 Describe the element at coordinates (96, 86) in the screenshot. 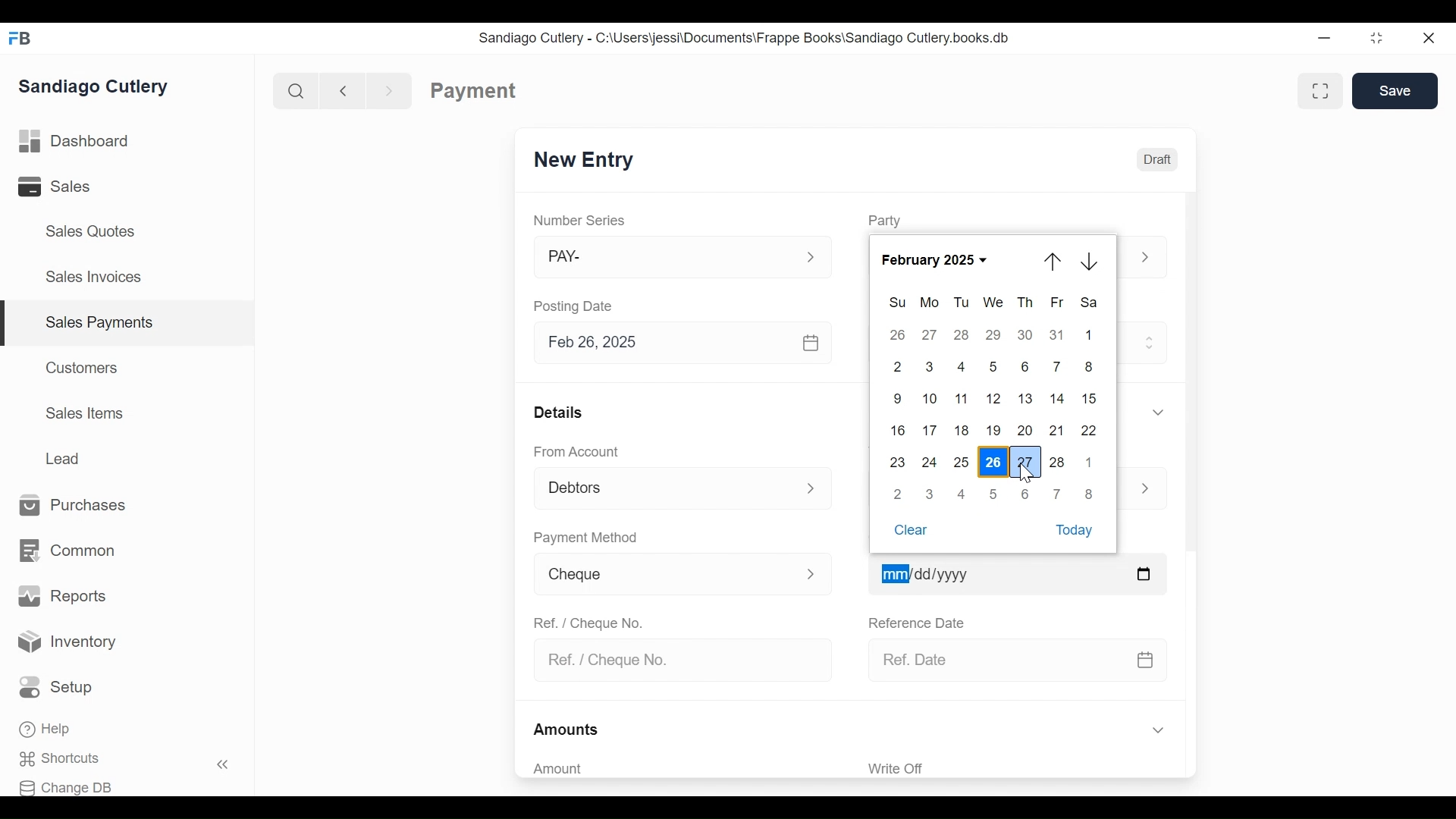

I see `Sandiago Cutlery` at that location.